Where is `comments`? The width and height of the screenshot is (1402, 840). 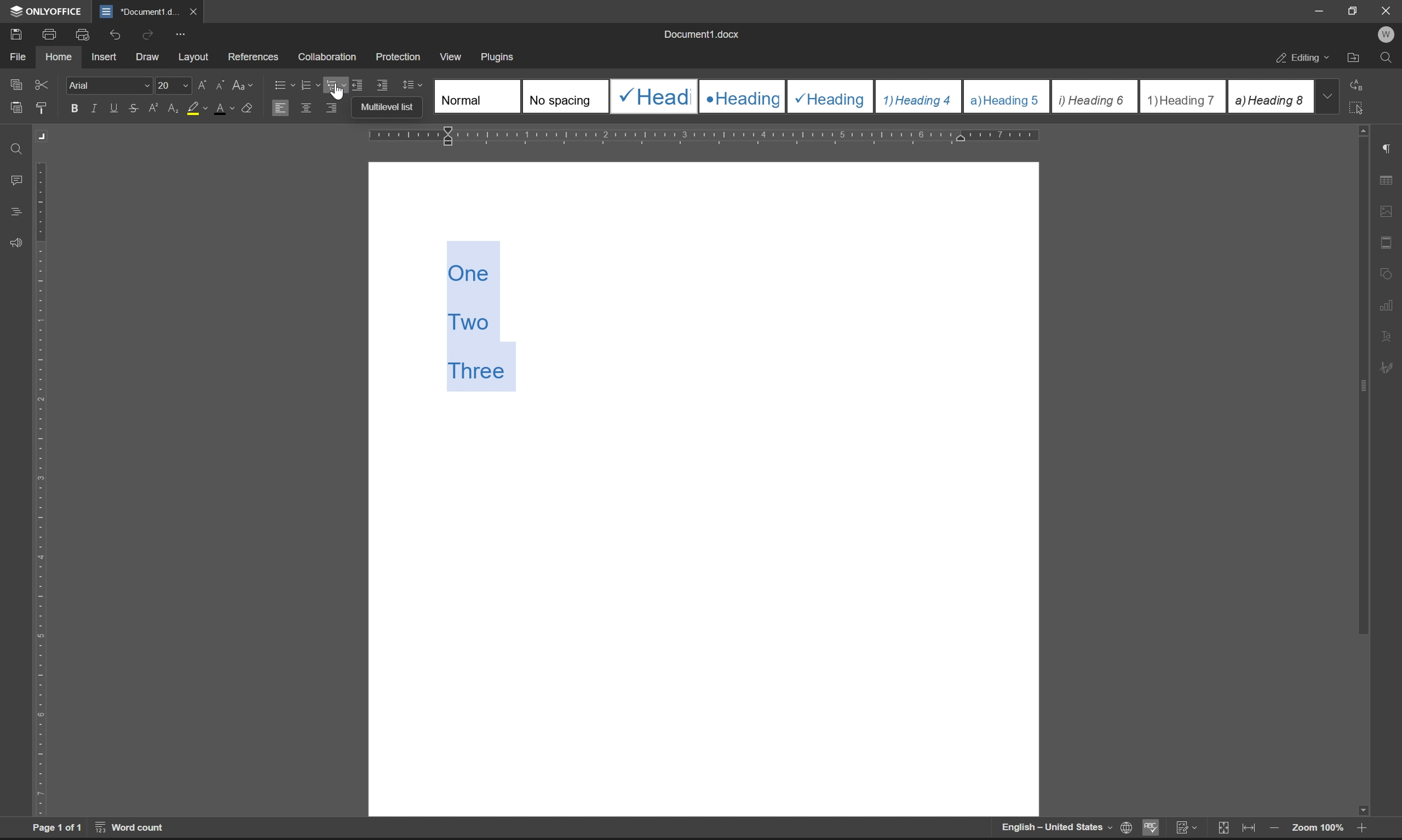 comments is located at coordinates (19, 181).